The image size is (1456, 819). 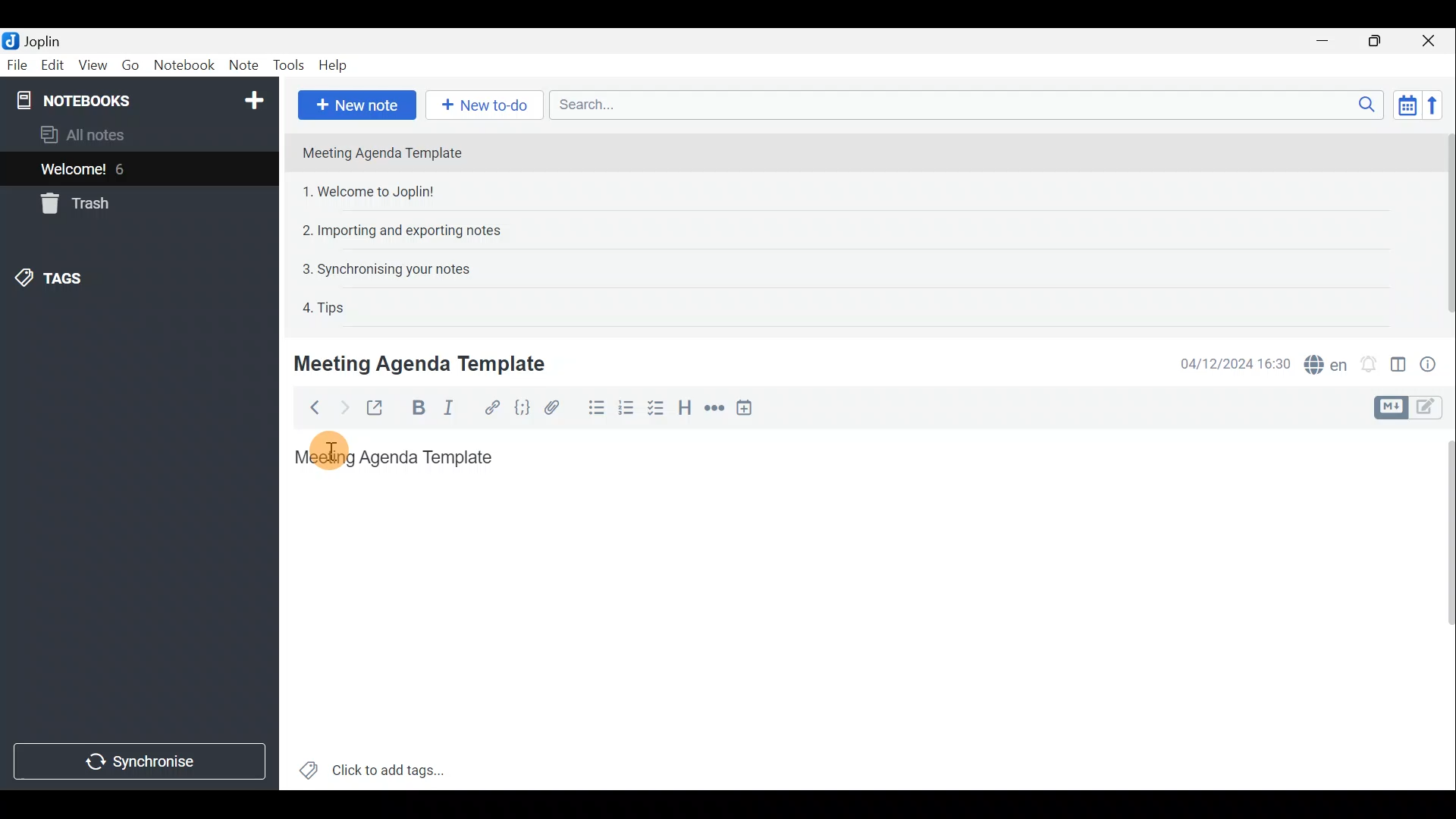 What do you see at coordinates (325, 307) in the screenshot?
I see `4. Tips` at bounding box center [325, 307].